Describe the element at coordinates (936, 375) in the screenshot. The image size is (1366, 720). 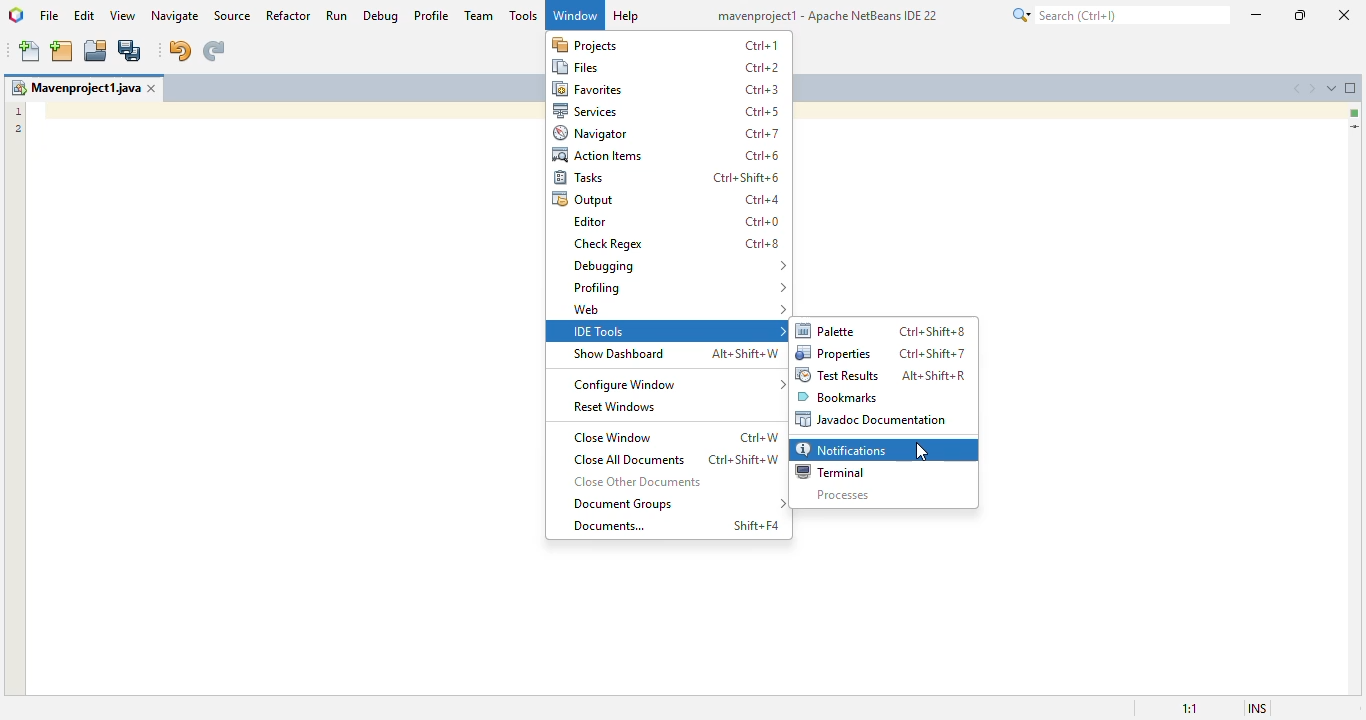
I see `shortcut for test results` at that location.